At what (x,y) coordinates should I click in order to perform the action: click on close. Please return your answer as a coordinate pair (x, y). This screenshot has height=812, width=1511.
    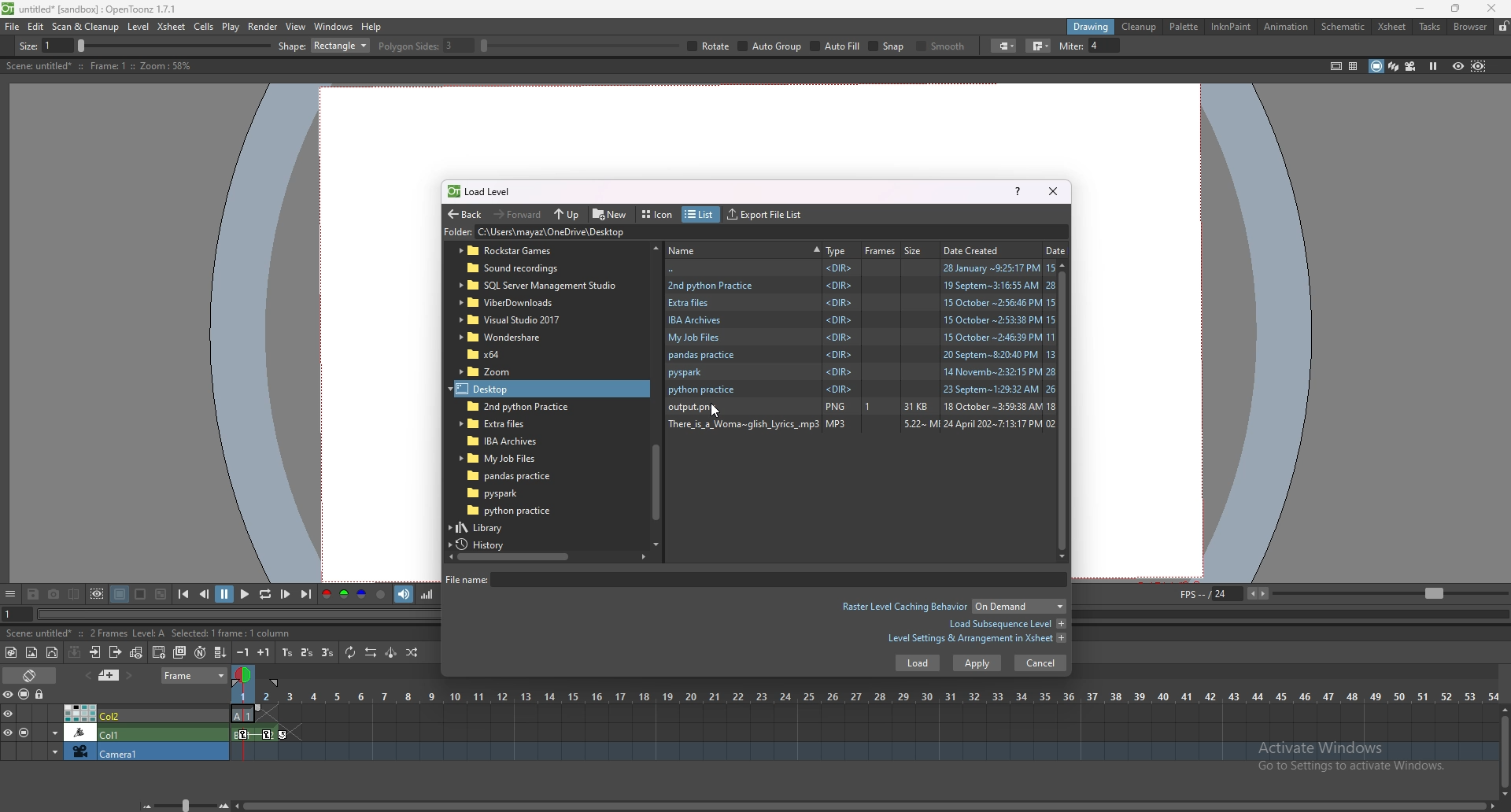
    Looking at the image, I should click on (1051, 190).